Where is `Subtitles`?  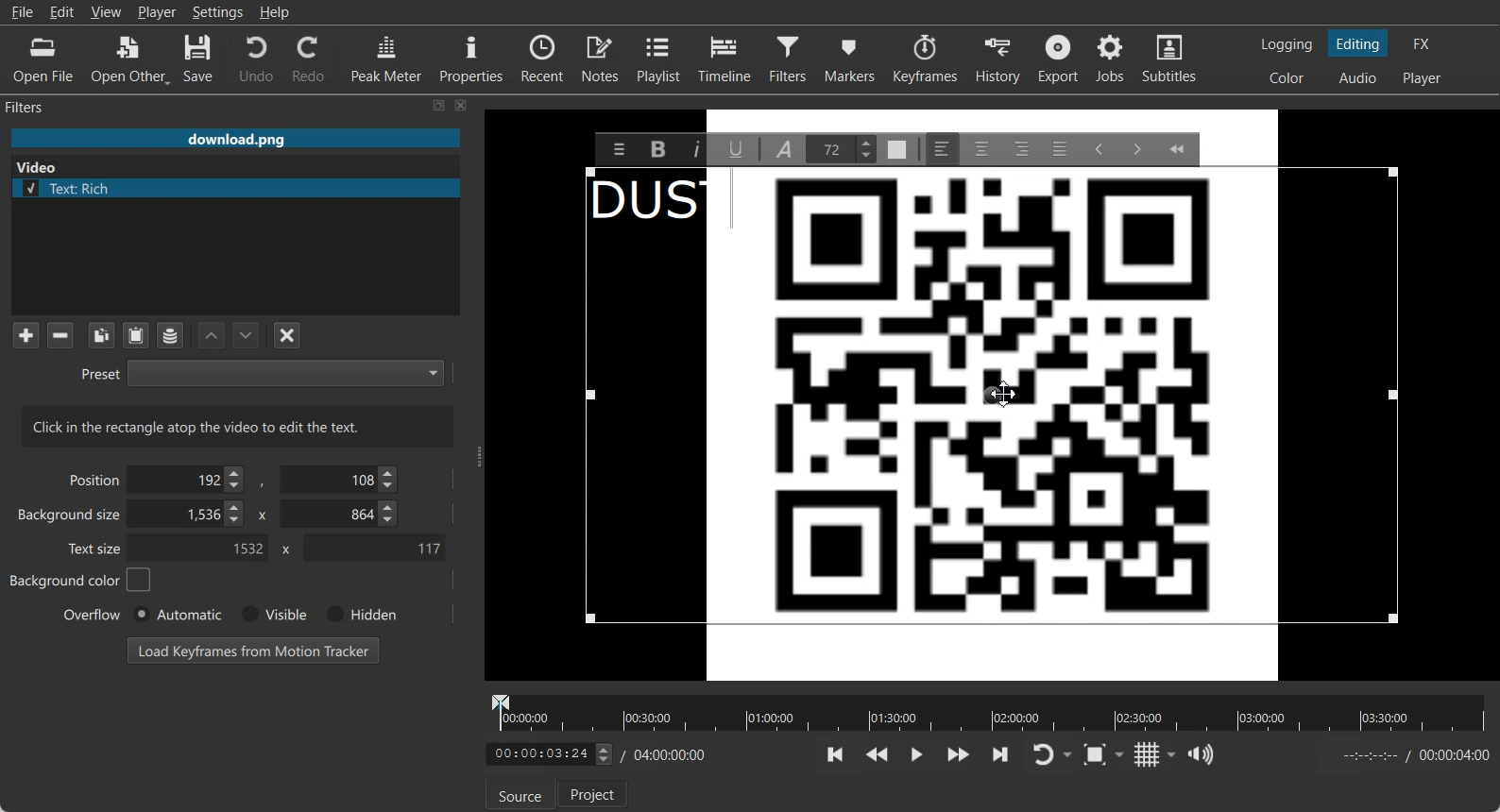 Subtitles is located at coordinates (1170, 59).